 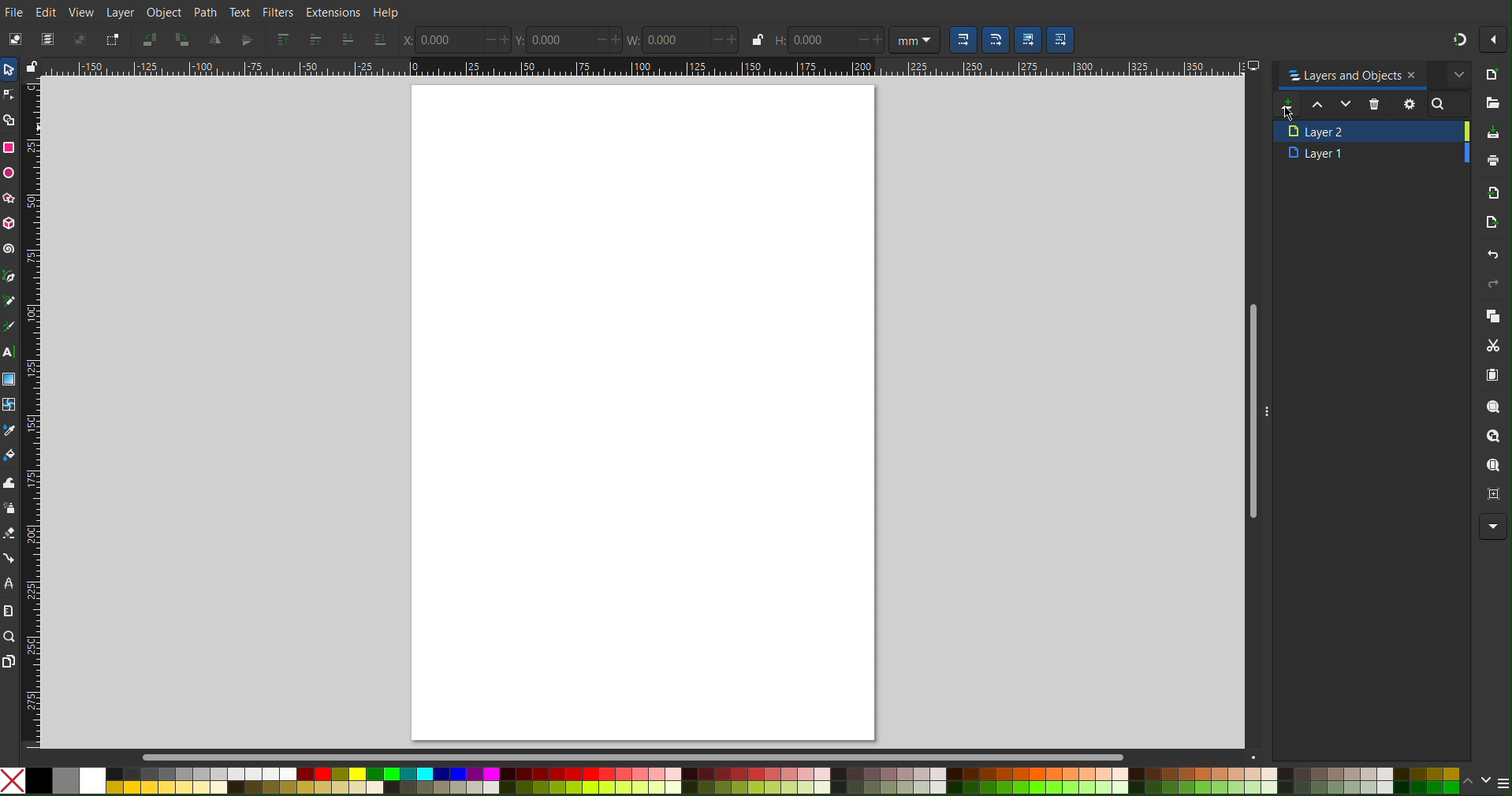 What do you see at coordinates (1493, 377) in the screenshot?
I see `Paste` at bounding box center [1493, 377].